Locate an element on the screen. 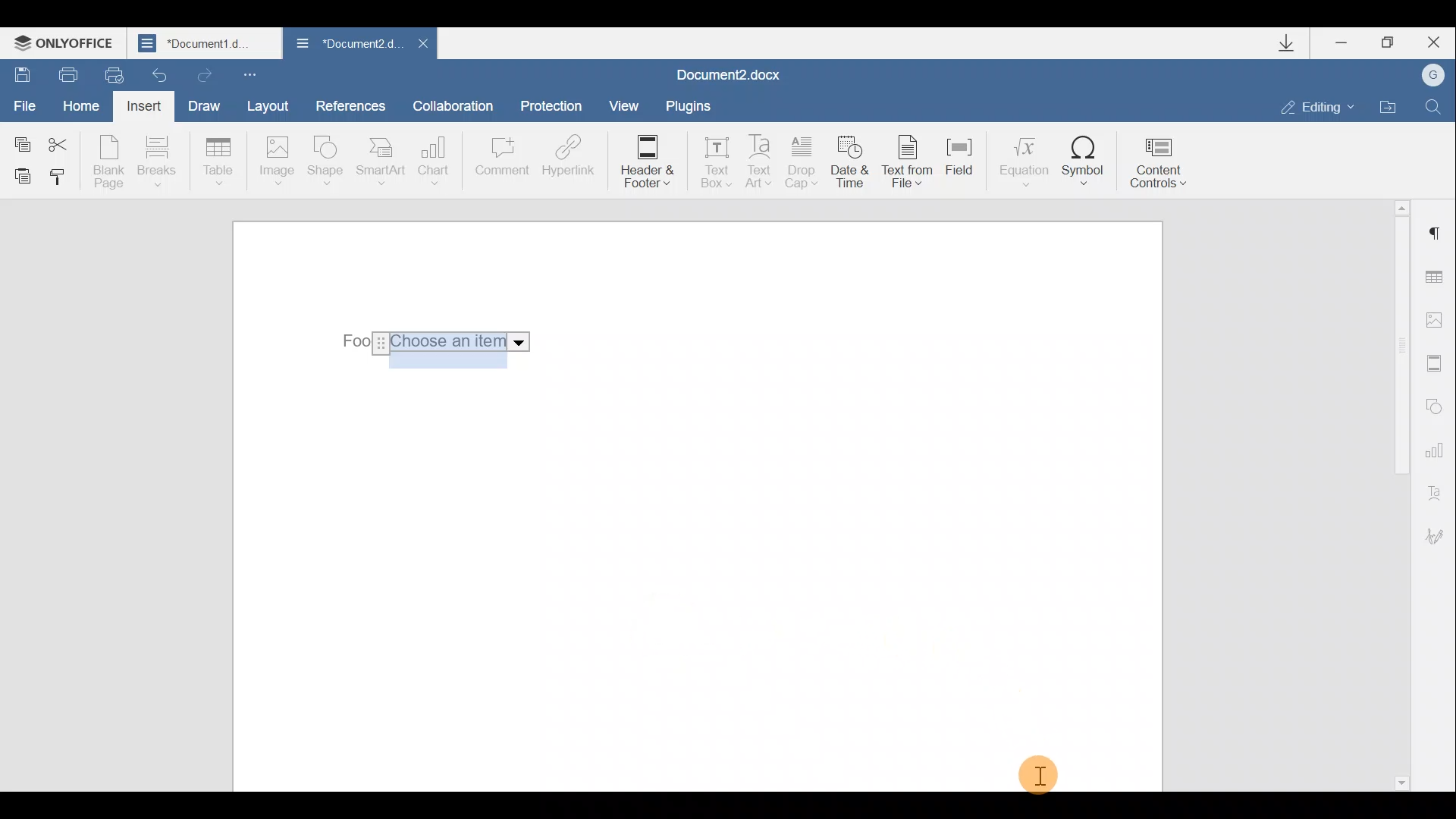  Layout is located at coordinates (267, 105).